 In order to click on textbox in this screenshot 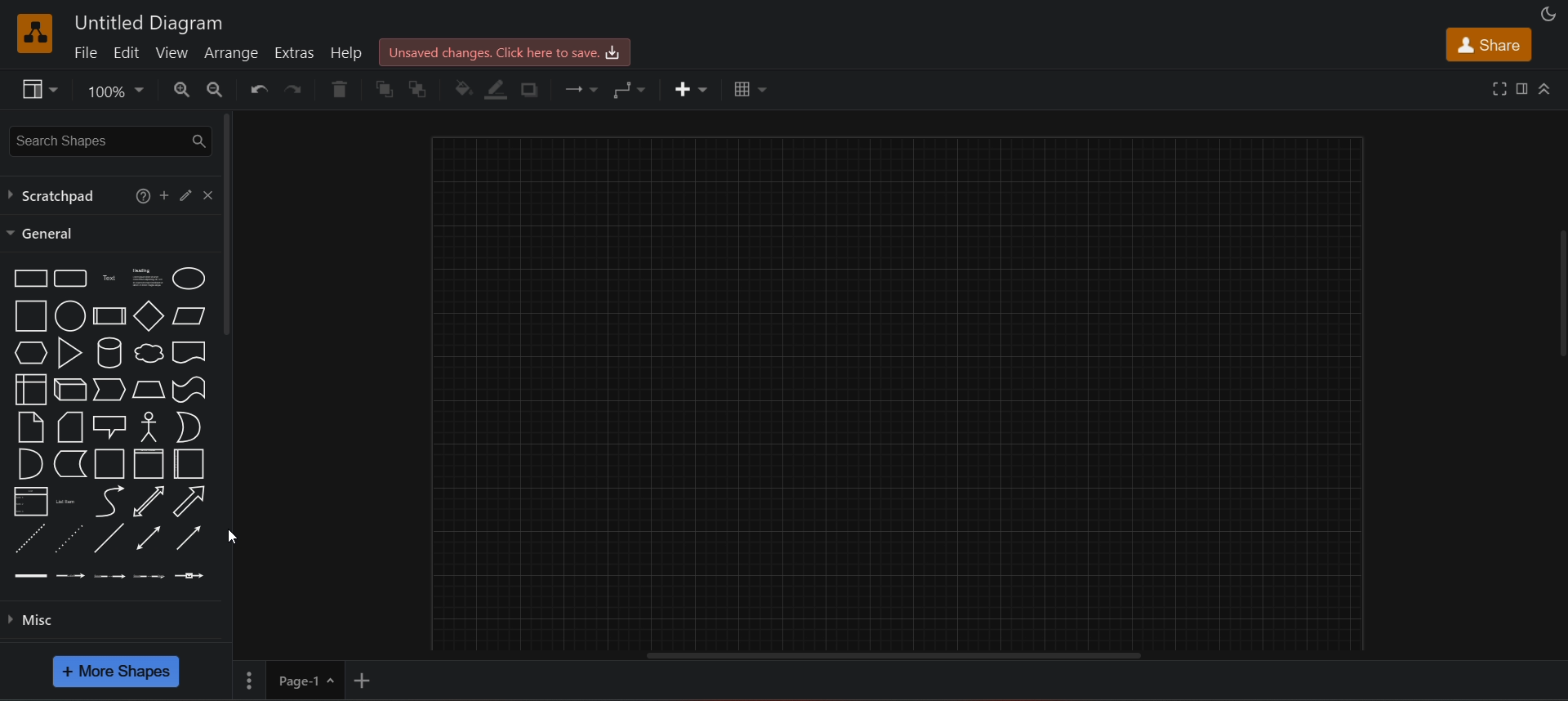, I will do `click(145, 276)`.